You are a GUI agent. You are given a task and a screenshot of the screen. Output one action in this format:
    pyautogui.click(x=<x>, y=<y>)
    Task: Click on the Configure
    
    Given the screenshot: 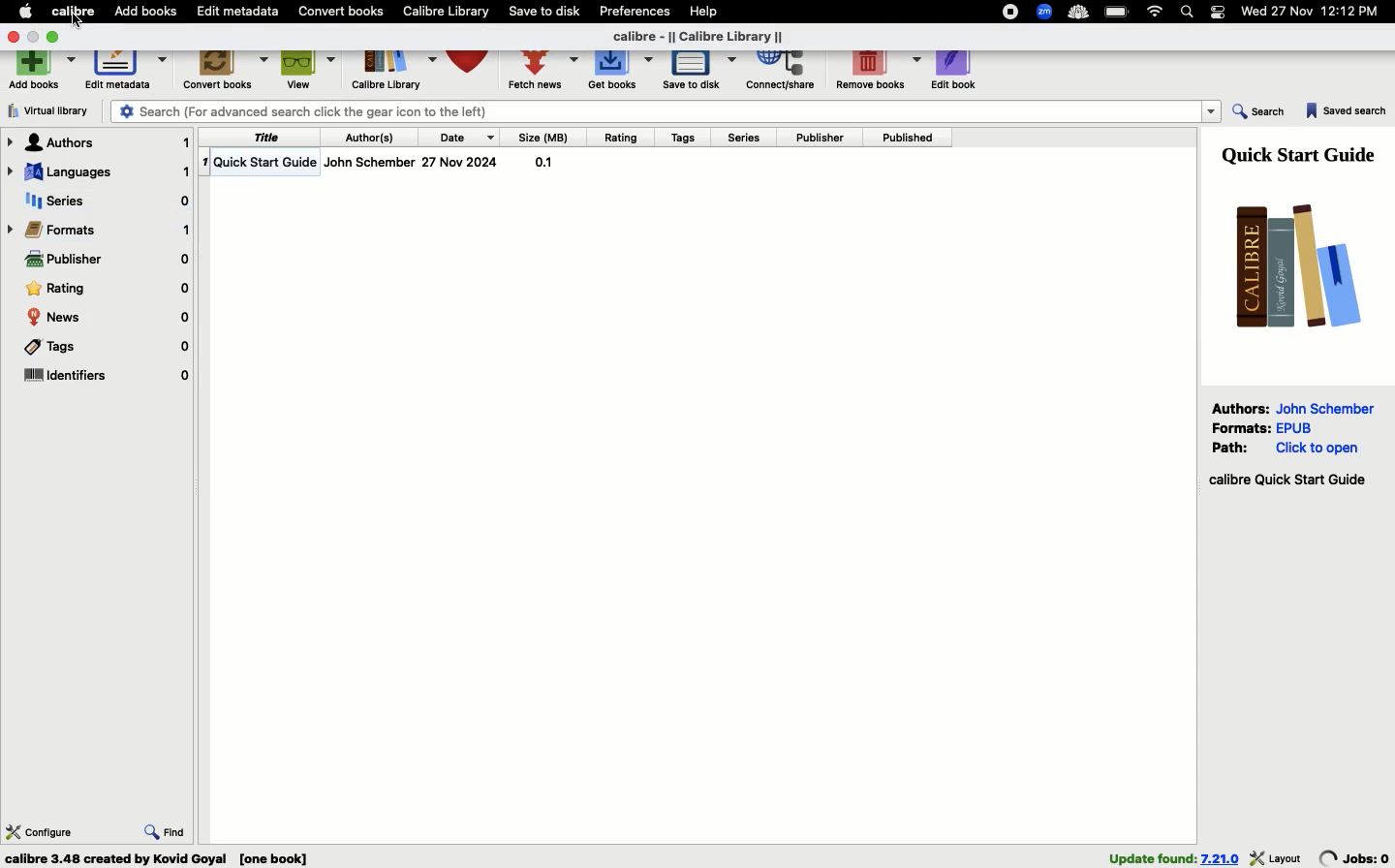 What is the action you would take?
    pyautogui.click(x=40, y=830)
    